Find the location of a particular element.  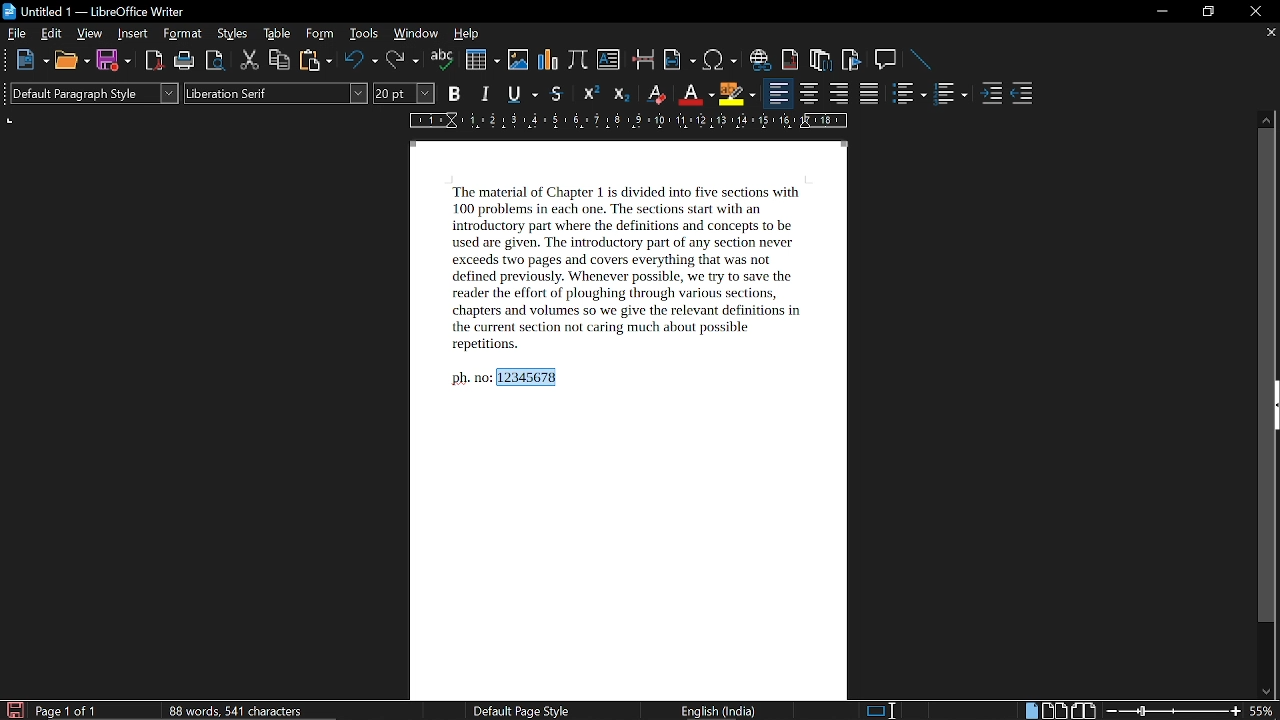

toggle unordered list is located at coordinates (909, 96).